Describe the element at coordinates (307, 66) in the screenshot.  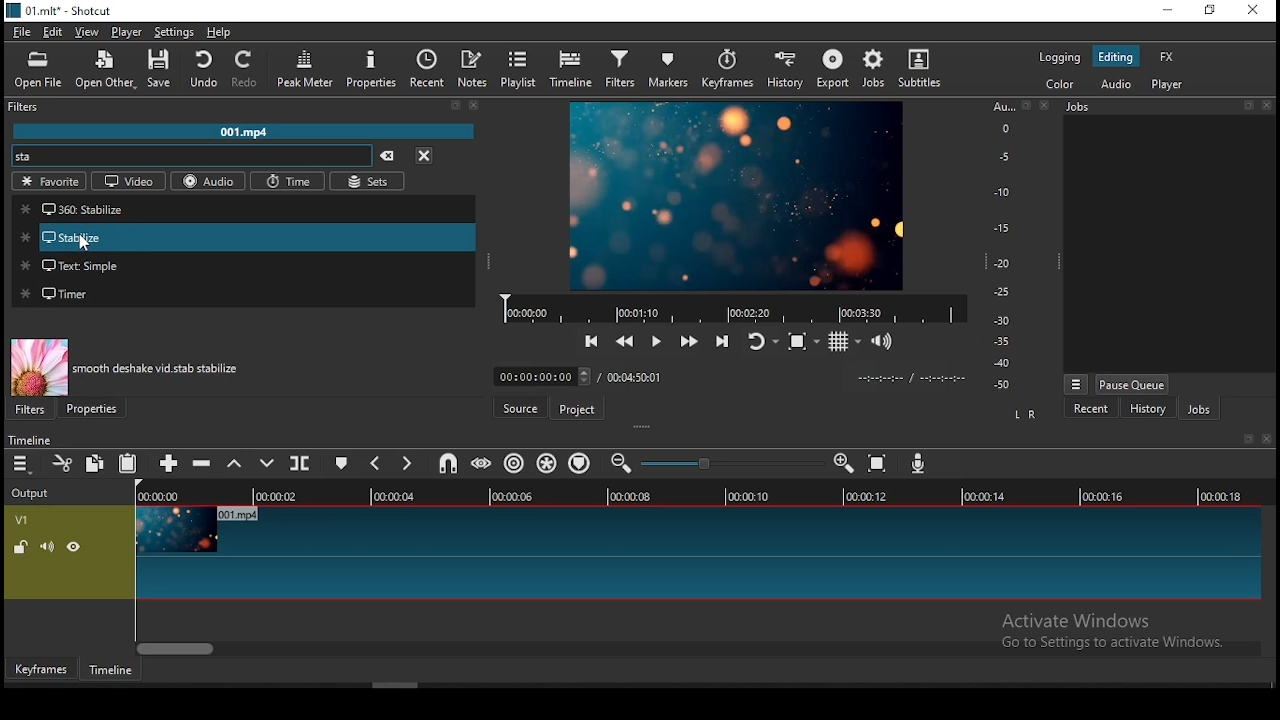
I see `Peak Meter` at that location.